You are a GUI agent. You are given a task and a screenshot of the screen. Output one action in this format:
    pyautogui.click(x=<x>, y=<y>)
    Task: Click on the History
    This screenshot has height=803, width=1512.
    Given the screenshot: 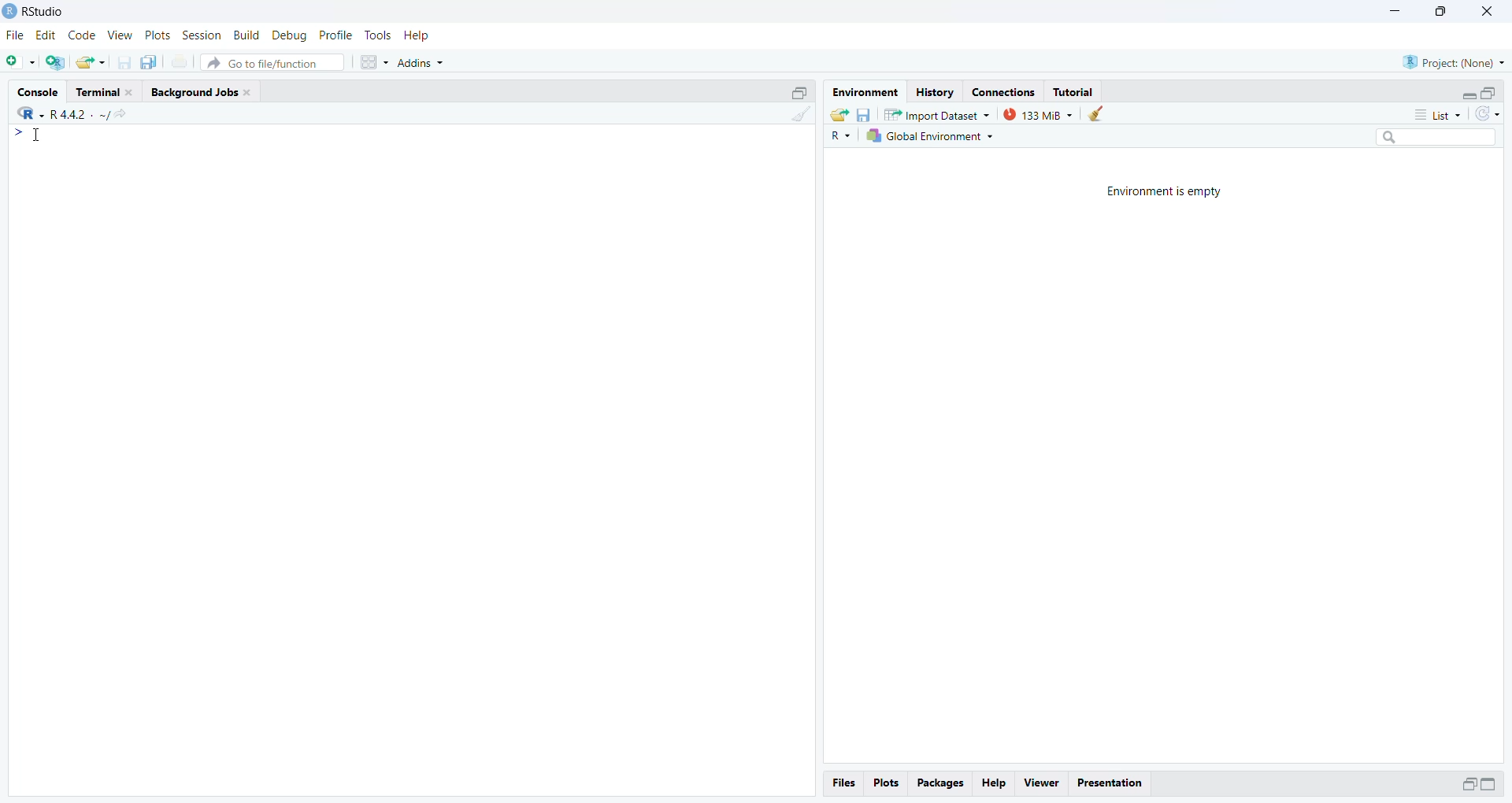 What is the action you would take?
    pyautogui.click(x=932, y=92)
    